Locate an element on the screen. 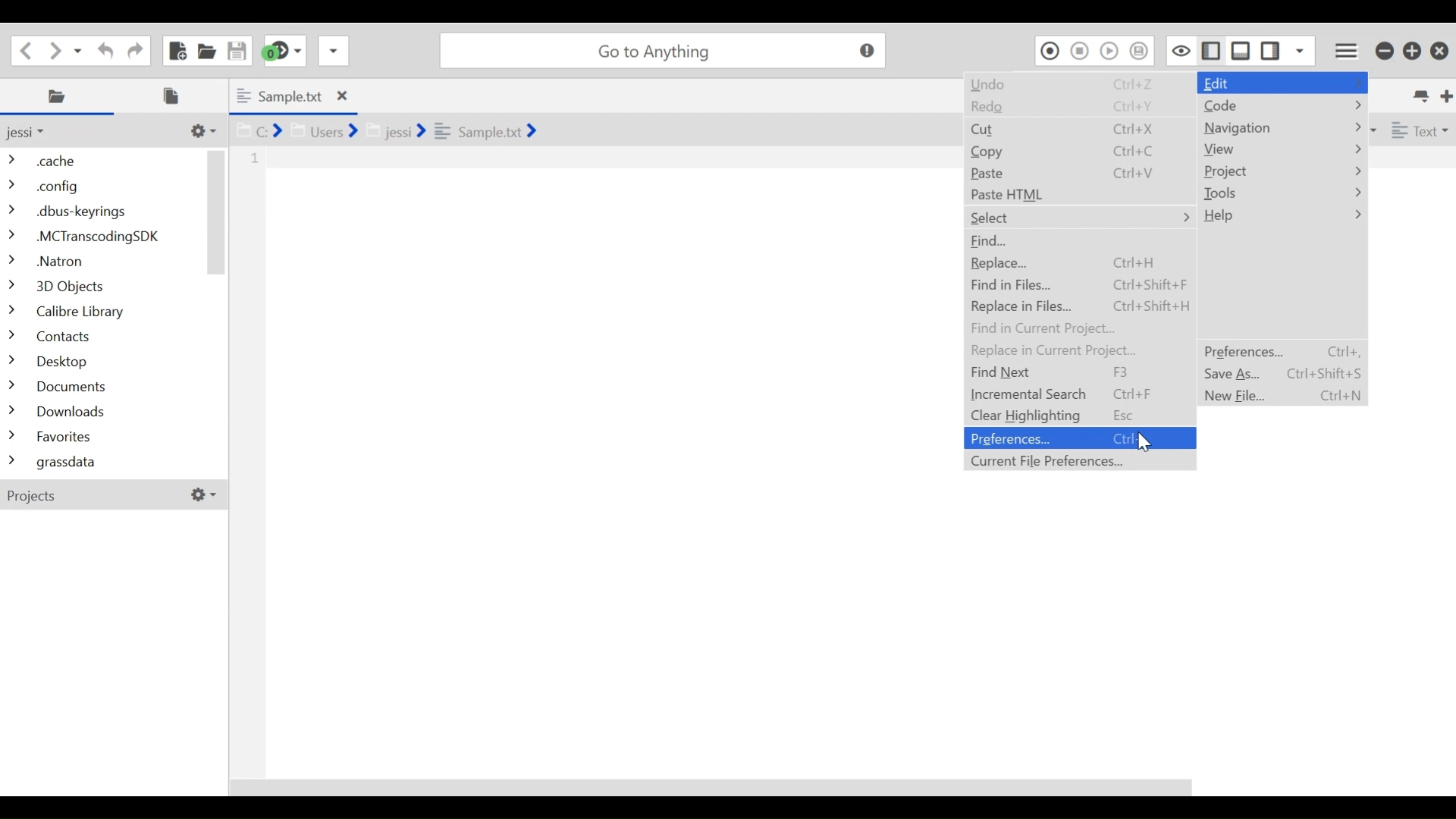 This screenshot has width=1456, height=819. Find is located at coordinates (1077, 241).